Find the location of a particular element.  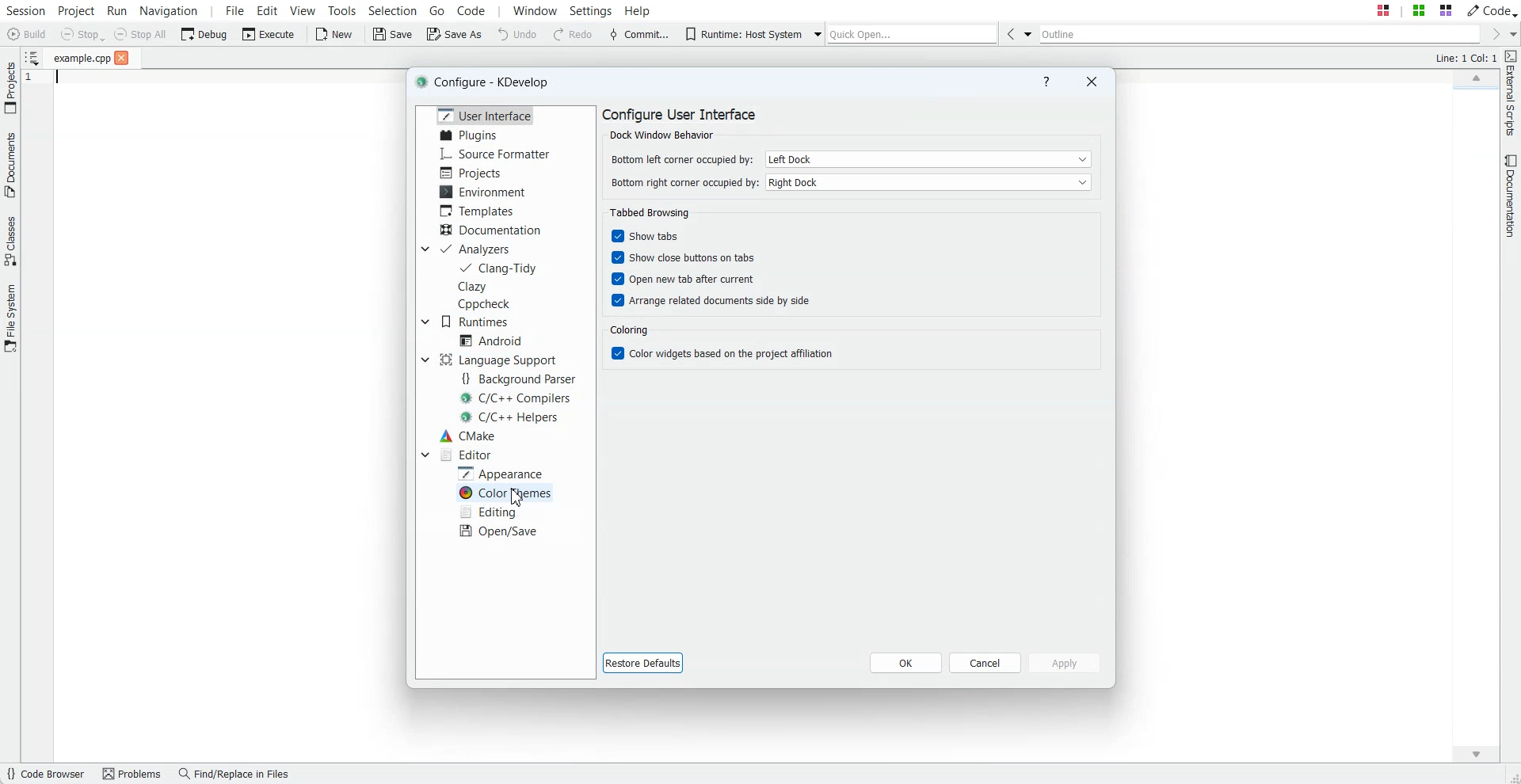

Documentation is located at coordinates (1511, 196).